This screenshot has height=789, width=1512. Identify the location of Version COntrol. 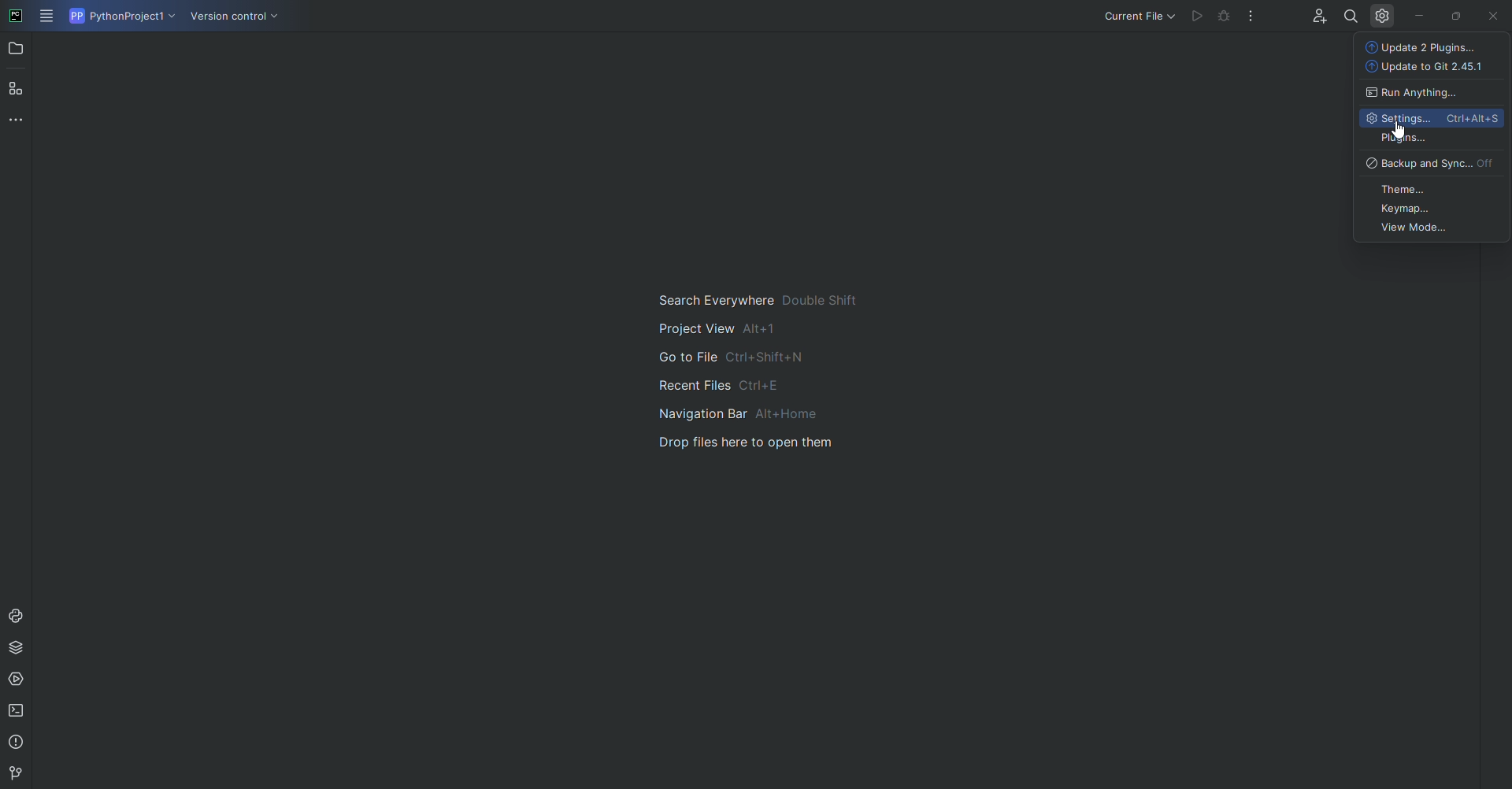
(238, 19).